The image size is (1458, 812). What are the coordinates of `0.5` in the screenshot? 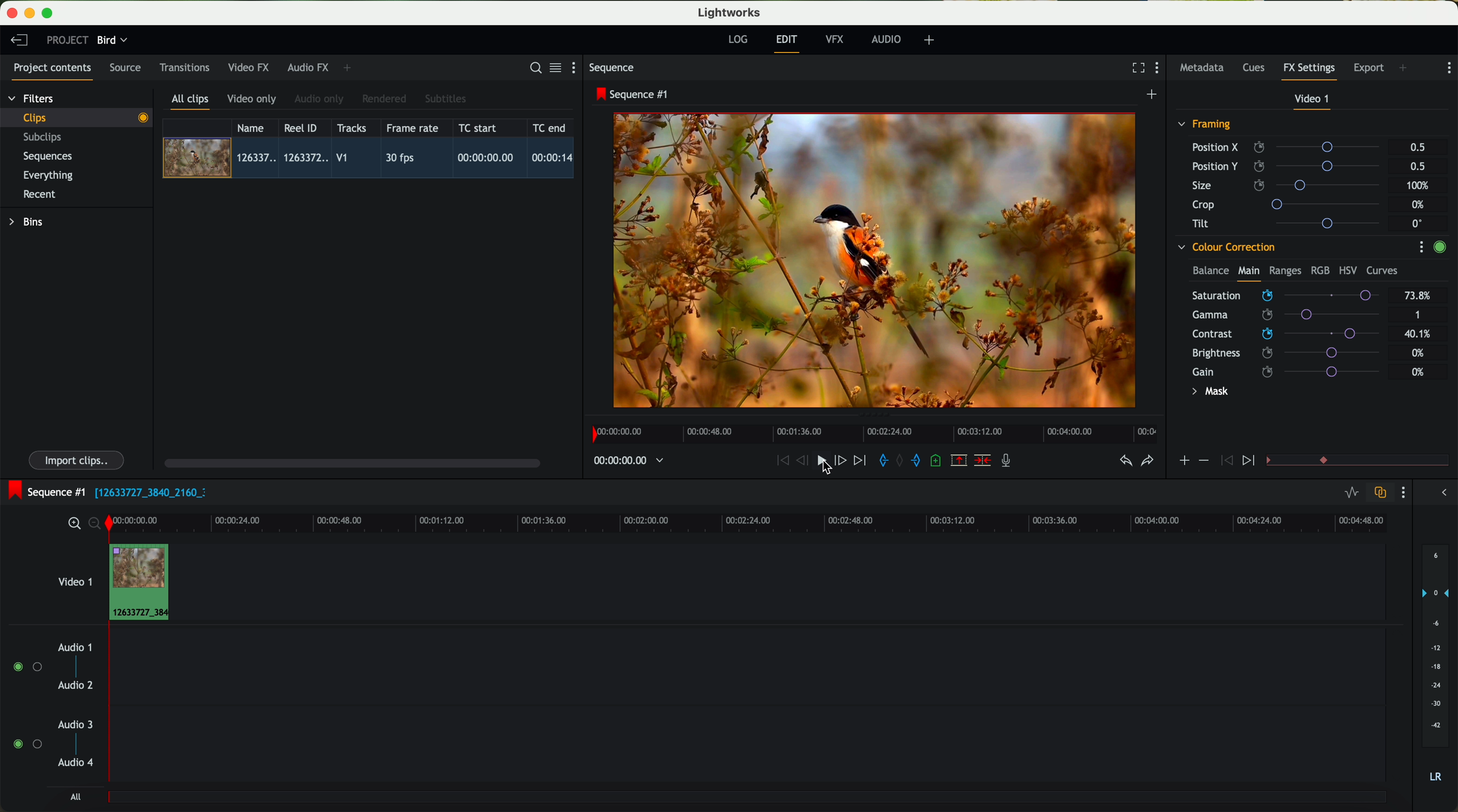 It's located at (1417, 166).